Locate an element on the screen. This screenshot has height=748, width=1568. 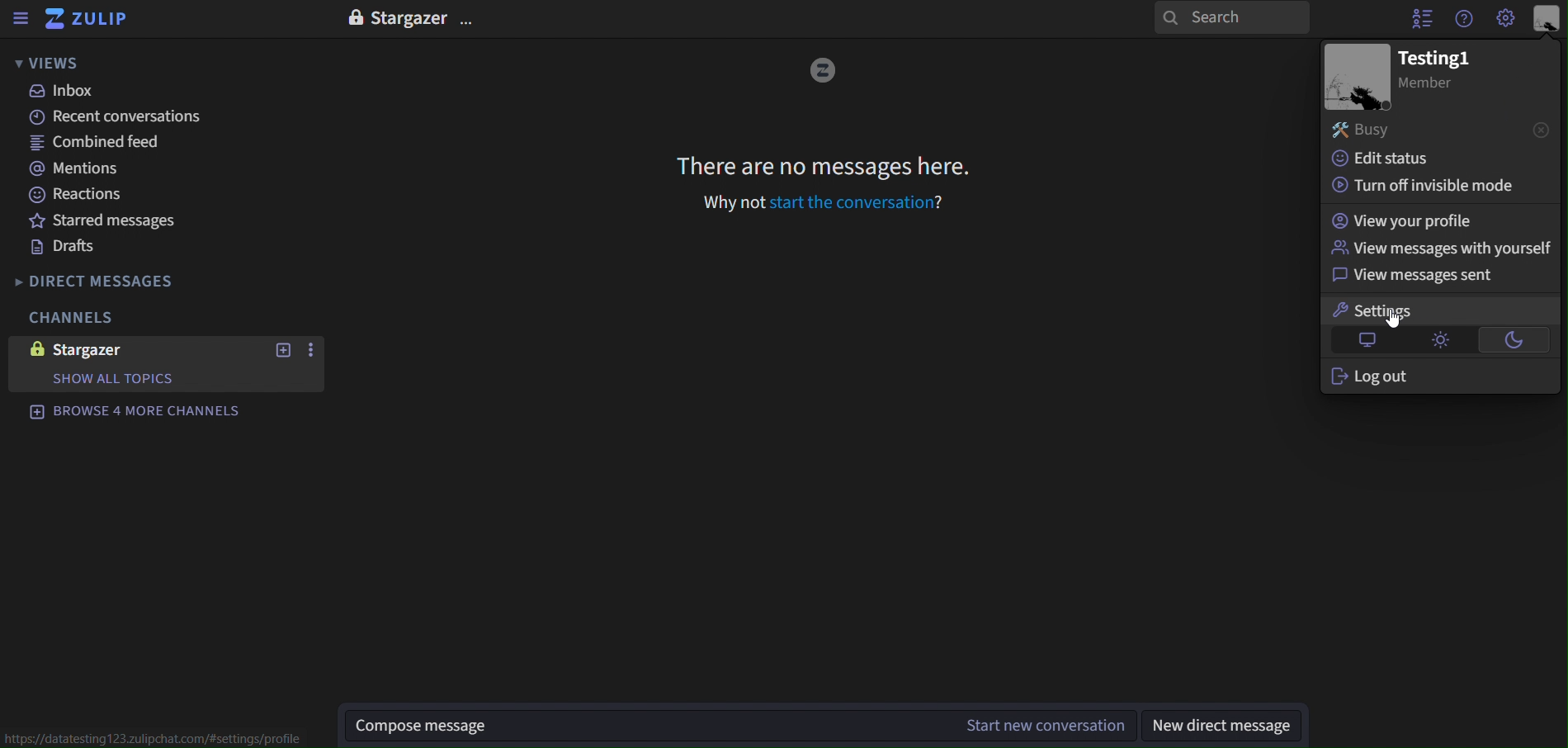
get help is located at coordinates (1465, 19).